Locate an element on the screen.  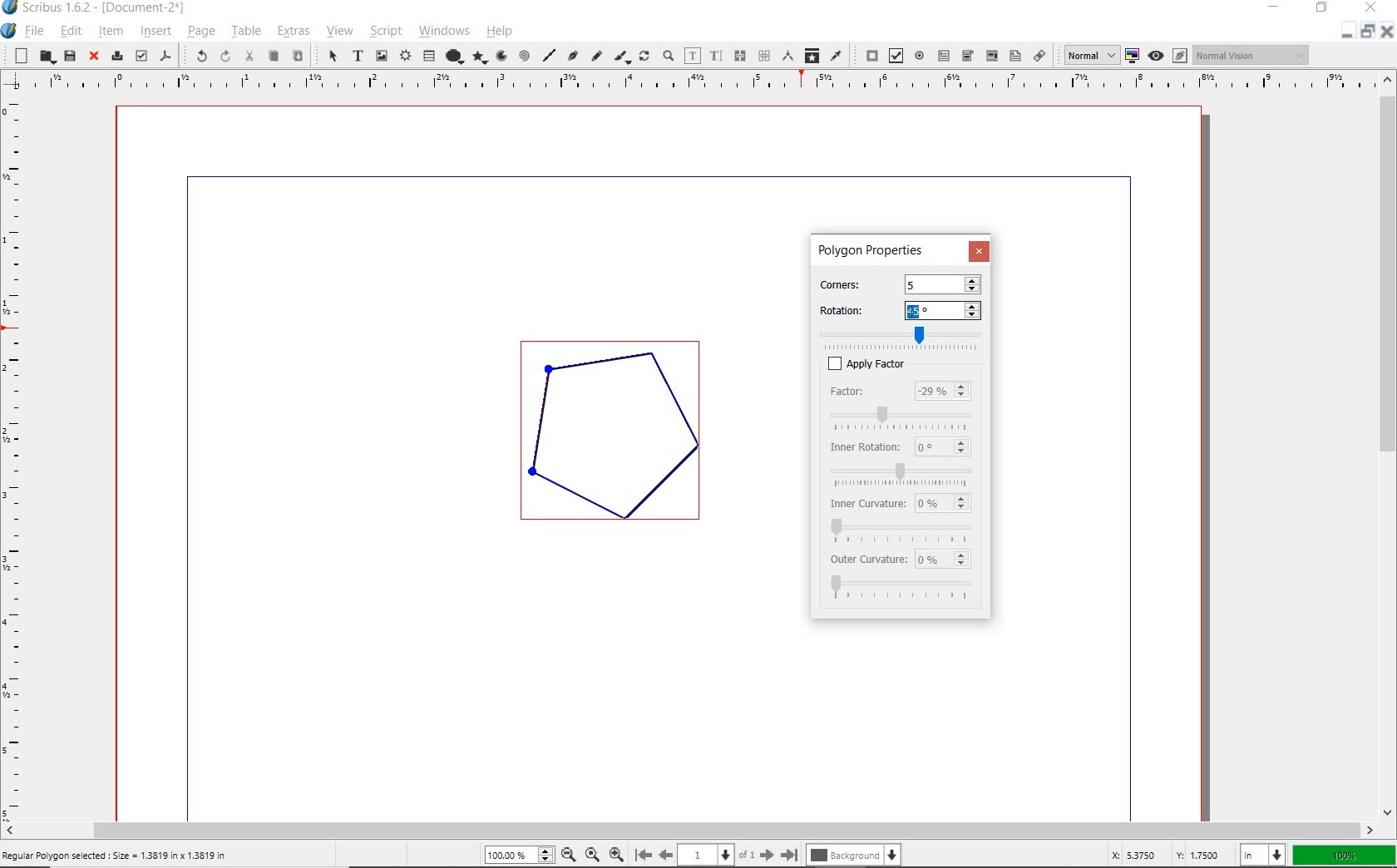
edit contents of frame is located at coordinates (693, 55).